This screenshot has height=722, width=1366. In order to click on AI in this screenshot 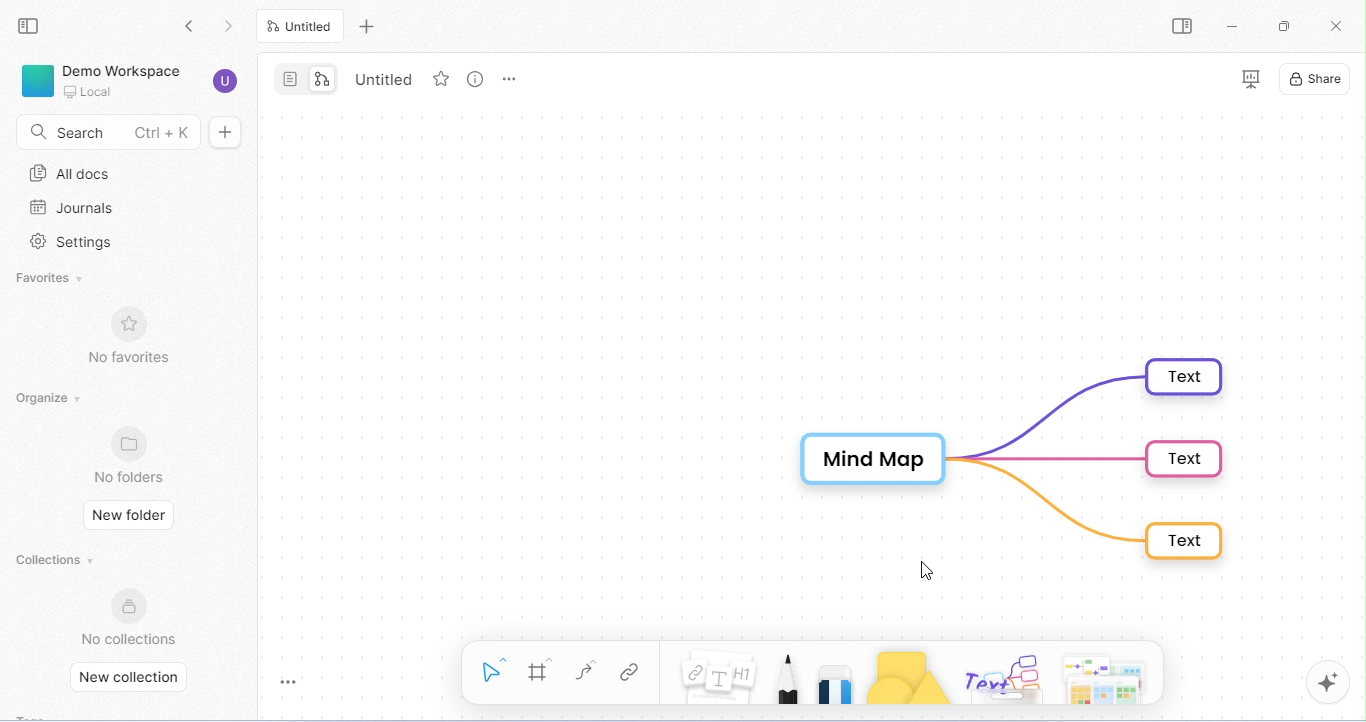, I will do `click(1328, 683)`.